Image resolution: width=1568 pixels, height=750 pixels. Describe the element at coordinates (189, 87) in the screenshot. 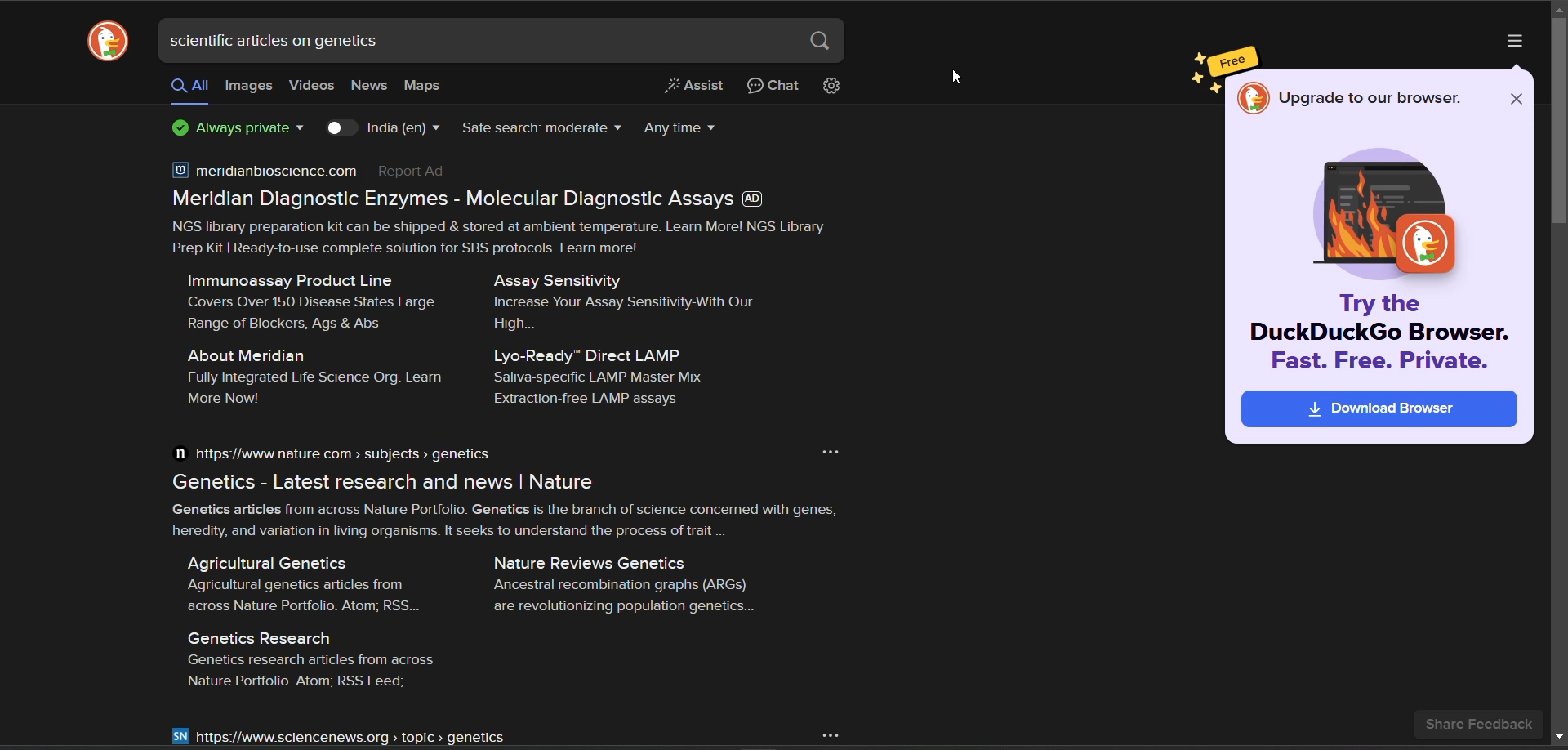

I see `all` at that location.